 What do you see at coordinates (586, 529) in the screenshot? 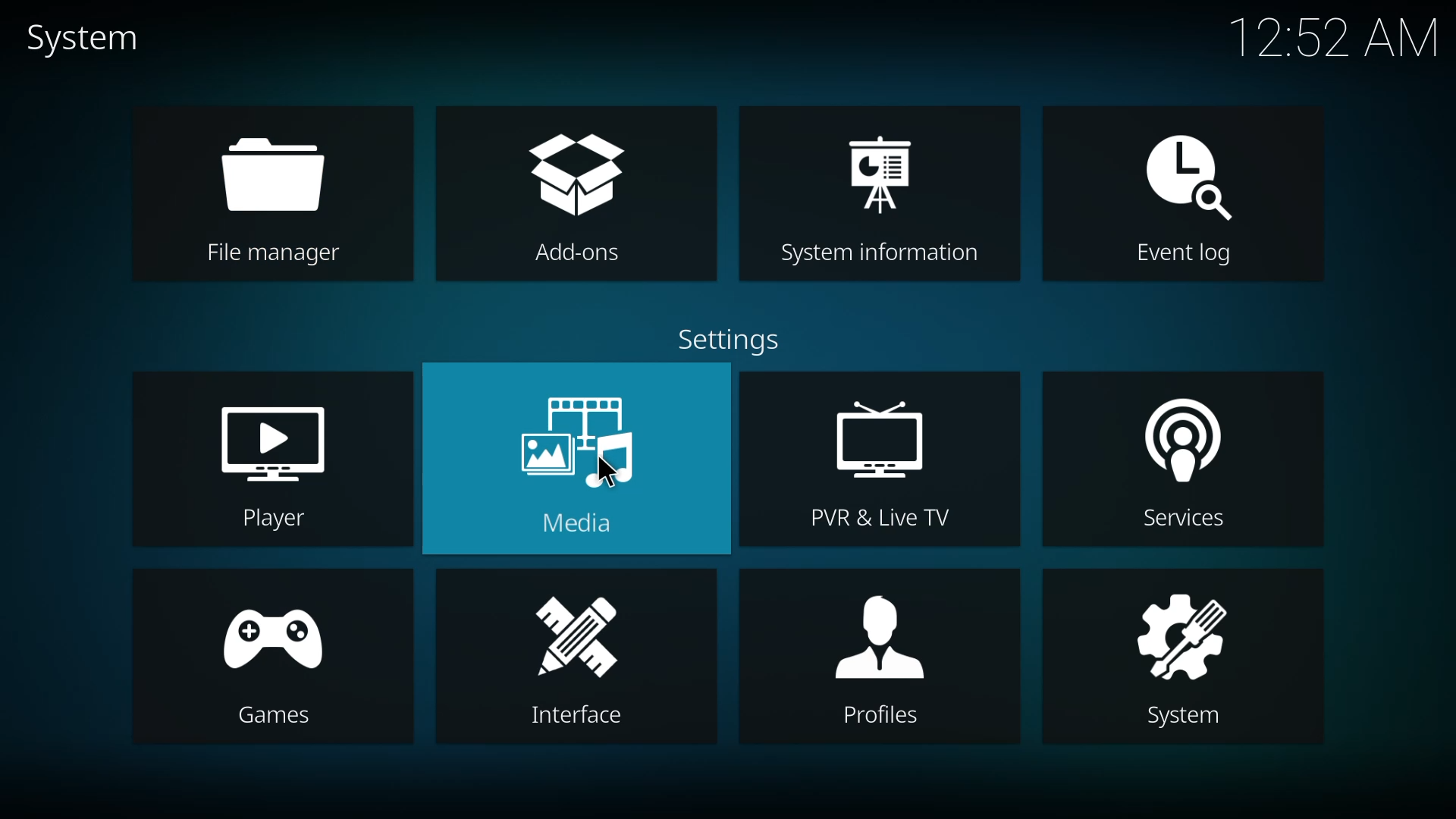
I see `Media` at bounding box center [586, 529].